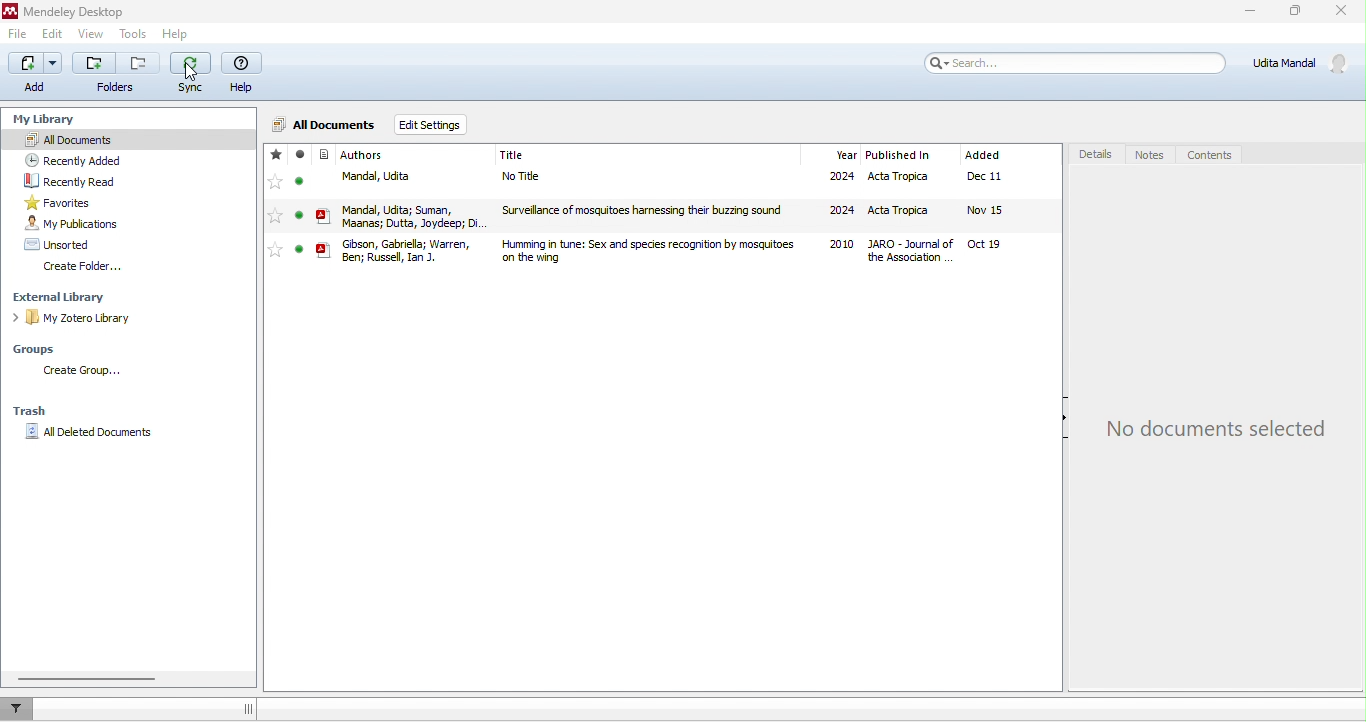 This screenshot has height=722, width=1366. What do you see at coordinates (513, 154) in the screenshot?
I see `title` at bounding box center [513, 154].